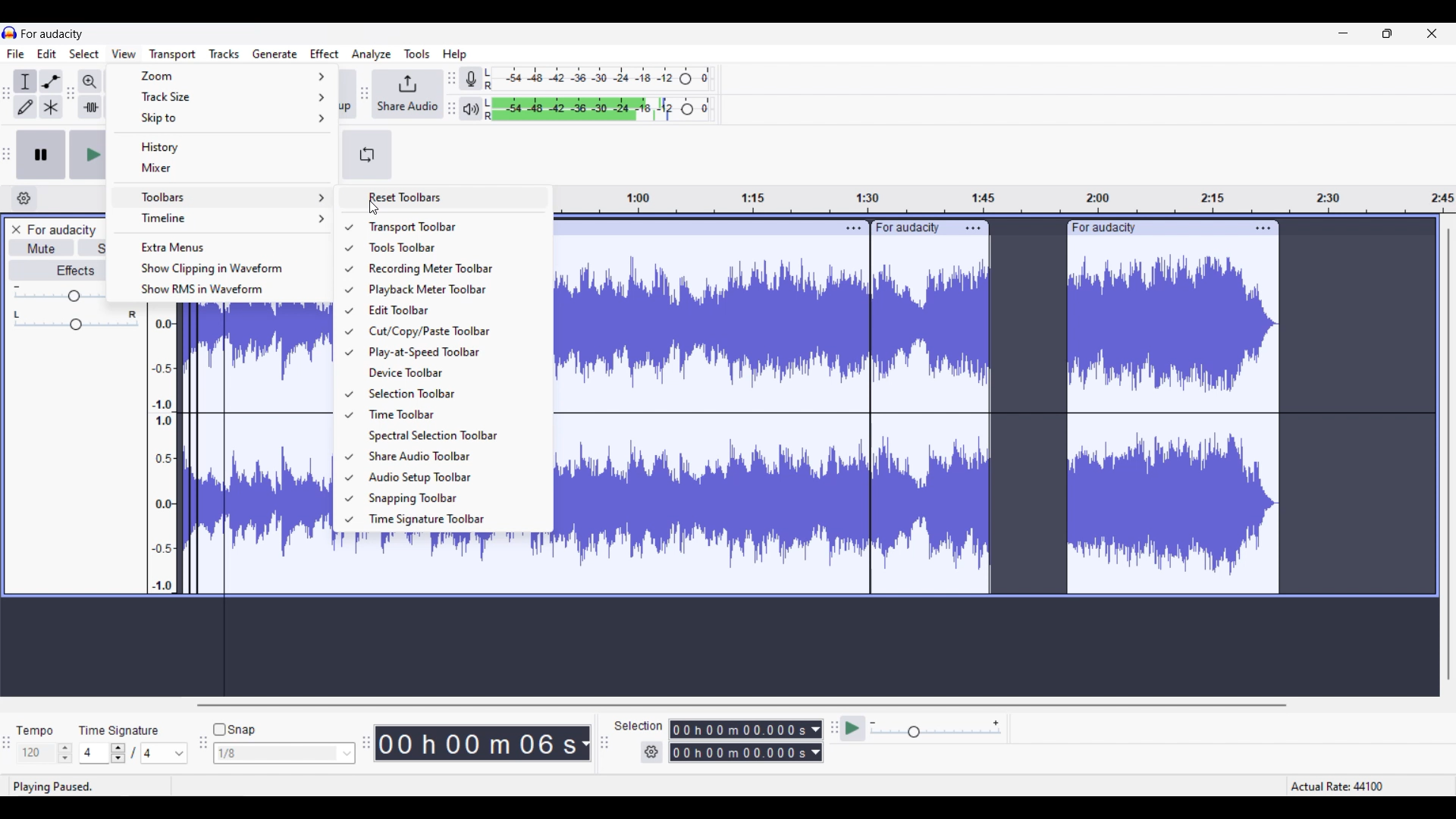  Describe the element at coordinates (817, 741) in the screenshot. I see `Duration measurement` at that location.